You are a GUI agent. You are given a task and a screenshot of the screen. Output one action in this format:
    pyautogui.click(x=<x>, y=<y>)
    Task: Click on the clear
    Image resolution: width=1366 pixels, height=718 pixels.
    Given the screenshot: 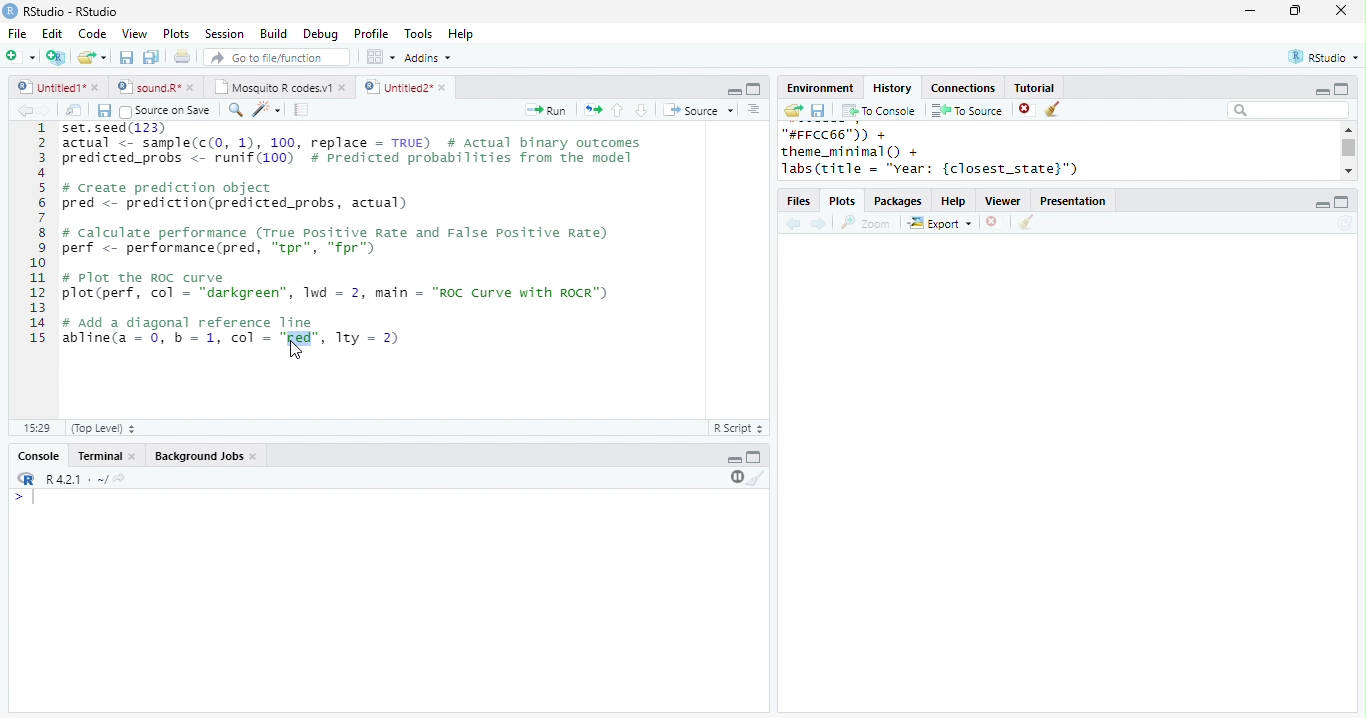 What is the action you would take?
    pyautogui.click(x=1054, y=110)
    